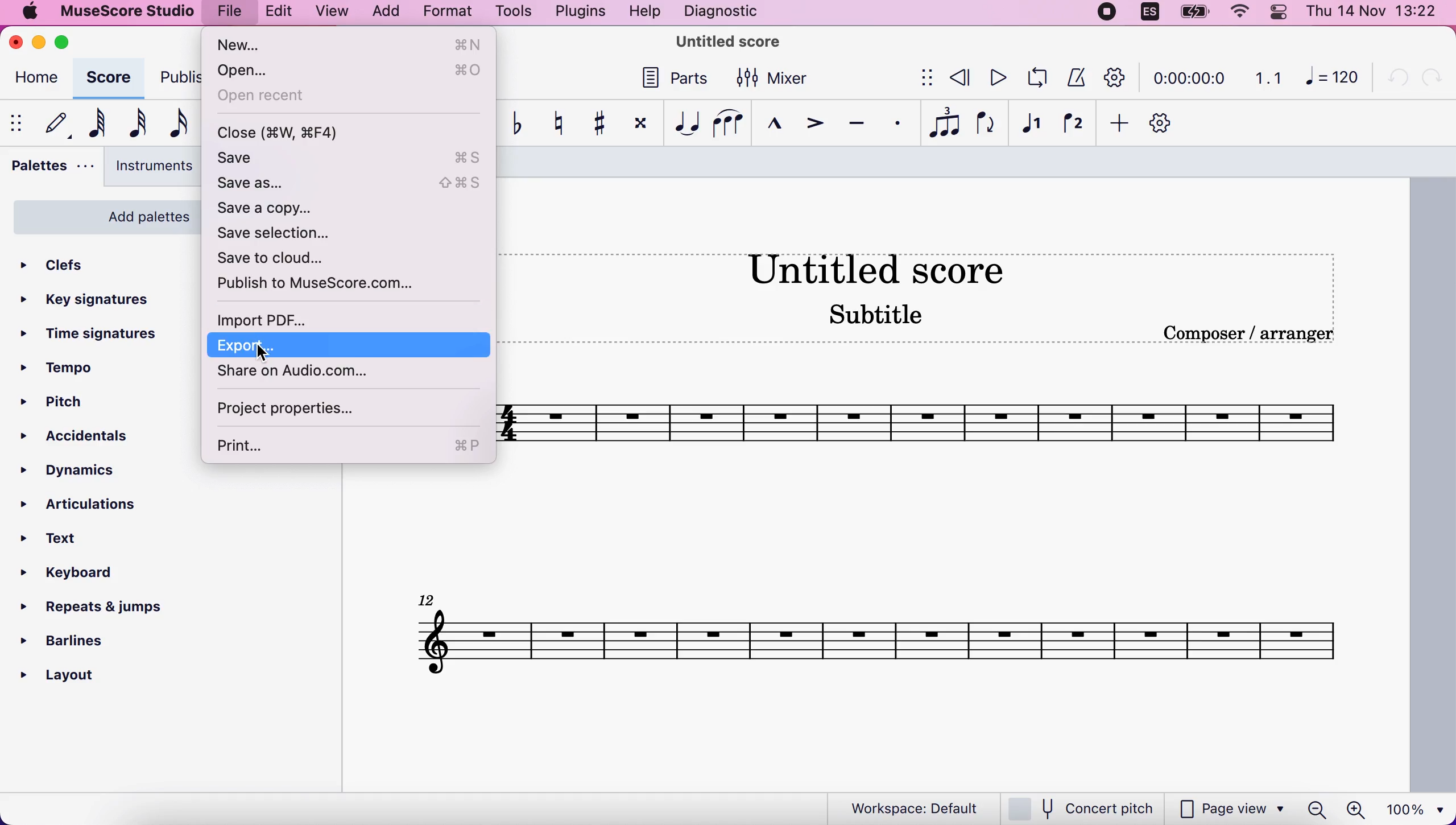  Describe the element at coordinates (356, 183) in the screenshot. I see `save as` at that location.